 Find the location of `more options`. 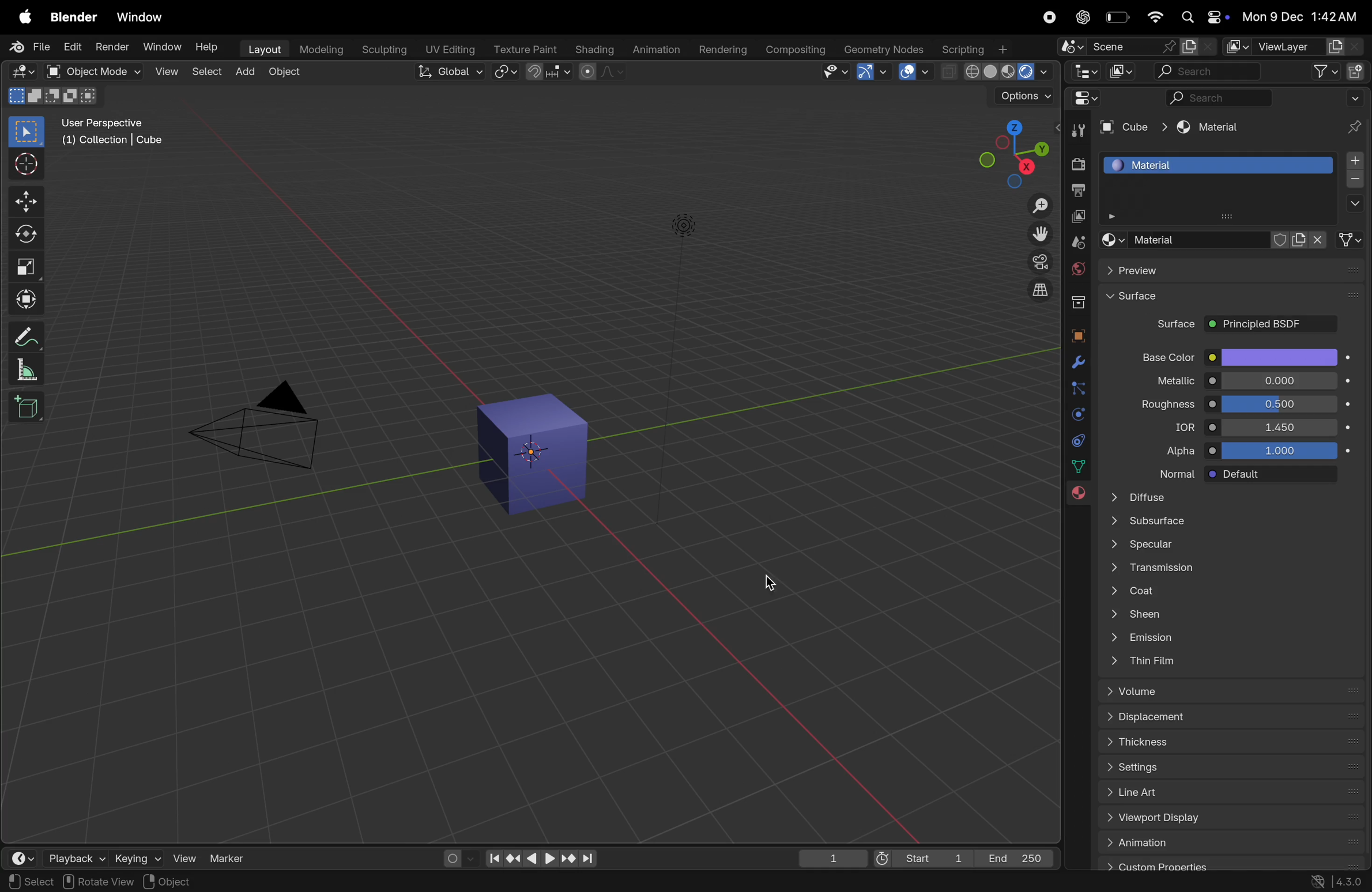

more options is located at coordinates (1354, 97).